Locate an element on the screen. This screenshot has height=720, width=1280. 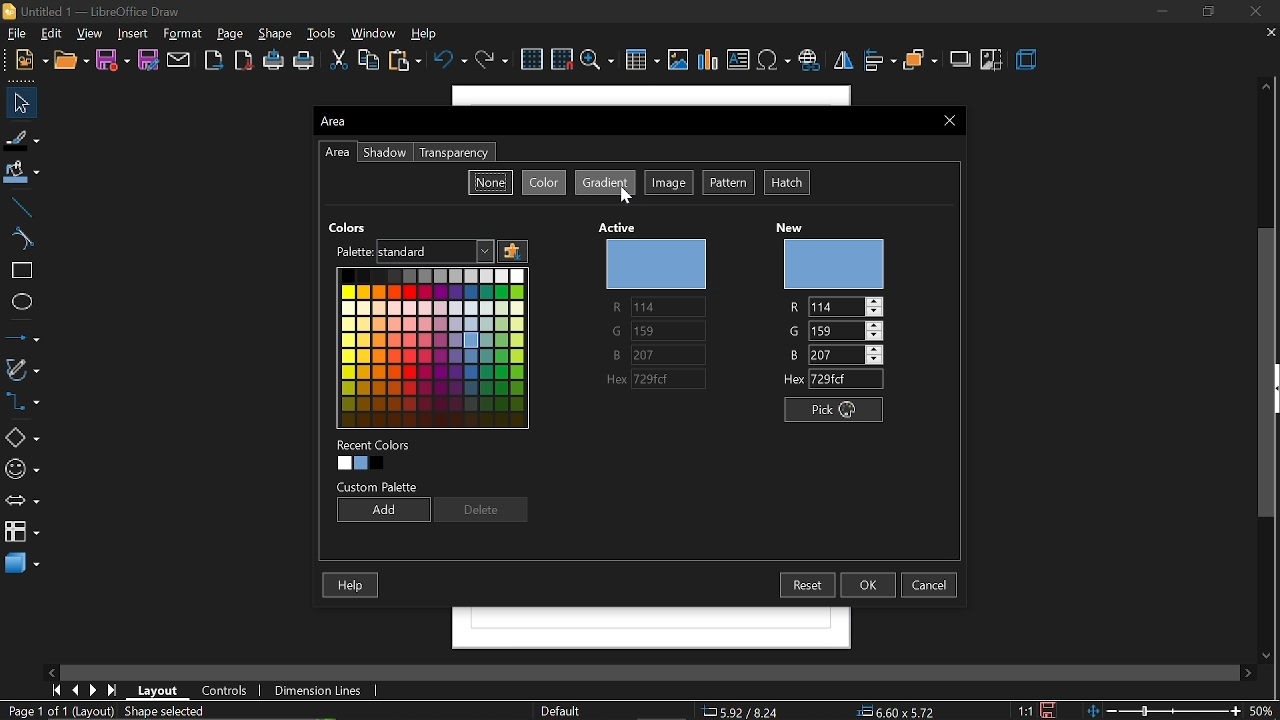
lines and arrows is located at coordinates (23, 338).